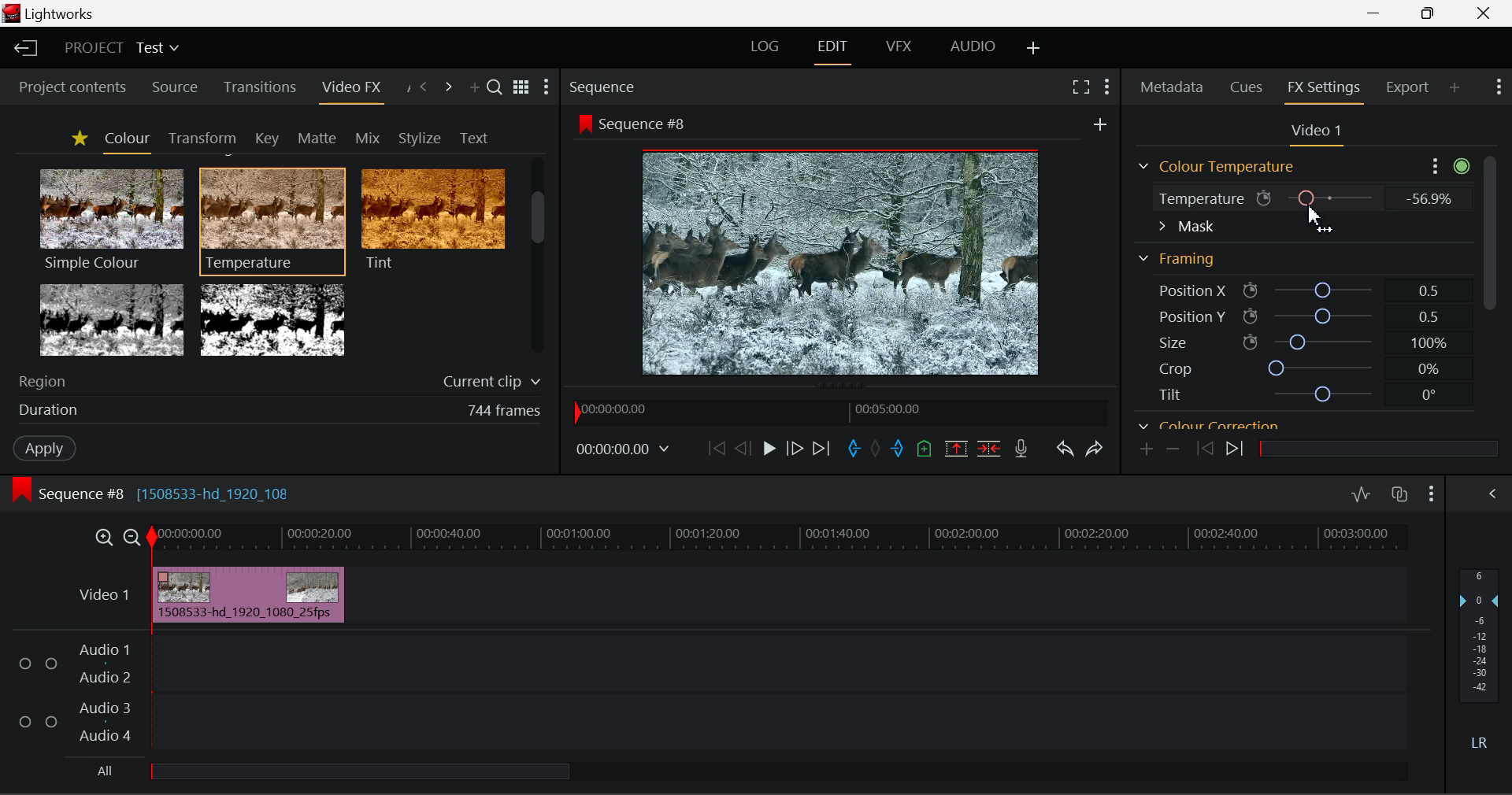 The width and height of the screenshot is (1512, 795). I want to click on Add Panel, so click(1454, 92).